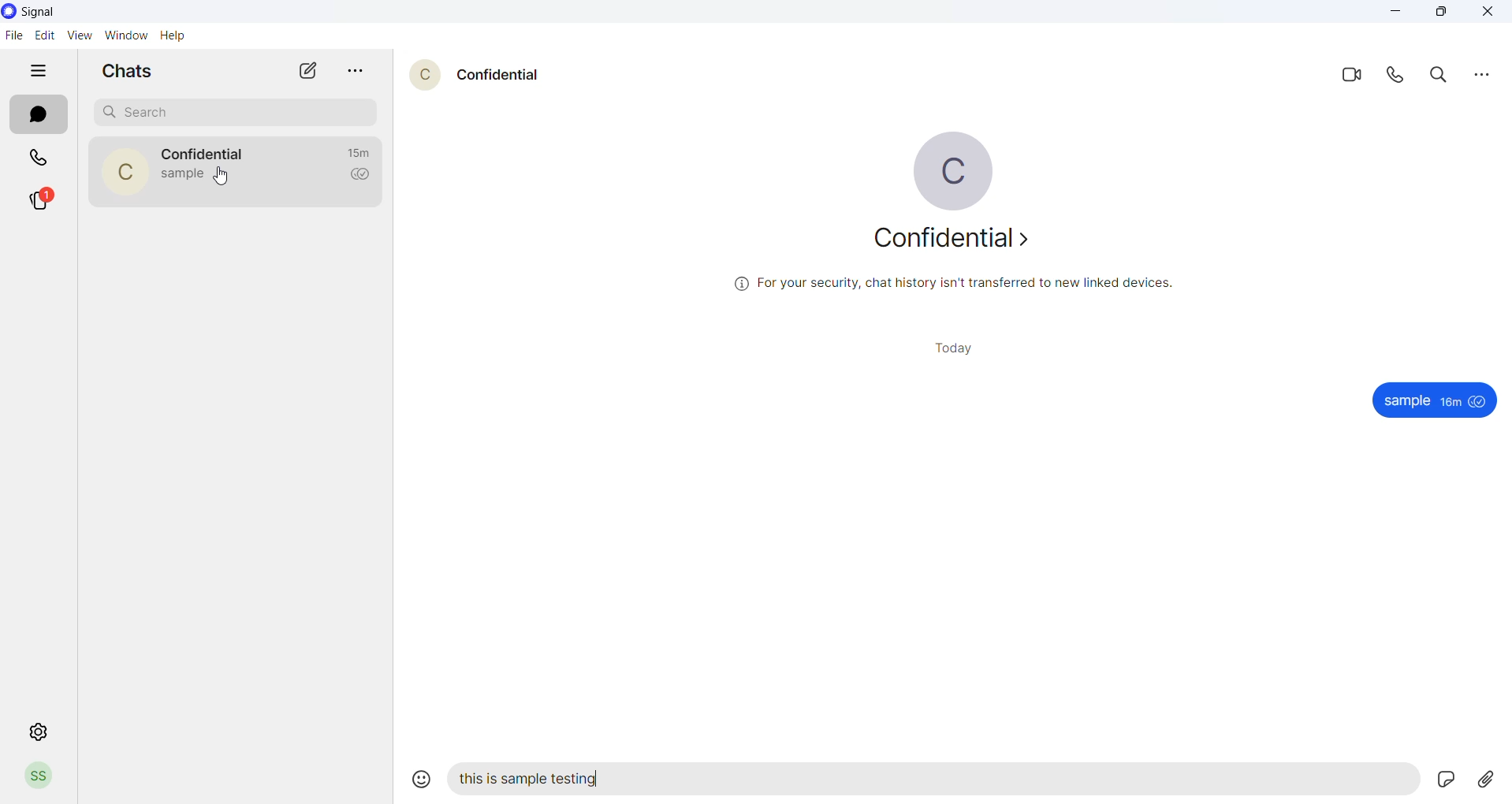 This screenshot has height=804, width=1512. I want to click on settings , so click(35, 731).